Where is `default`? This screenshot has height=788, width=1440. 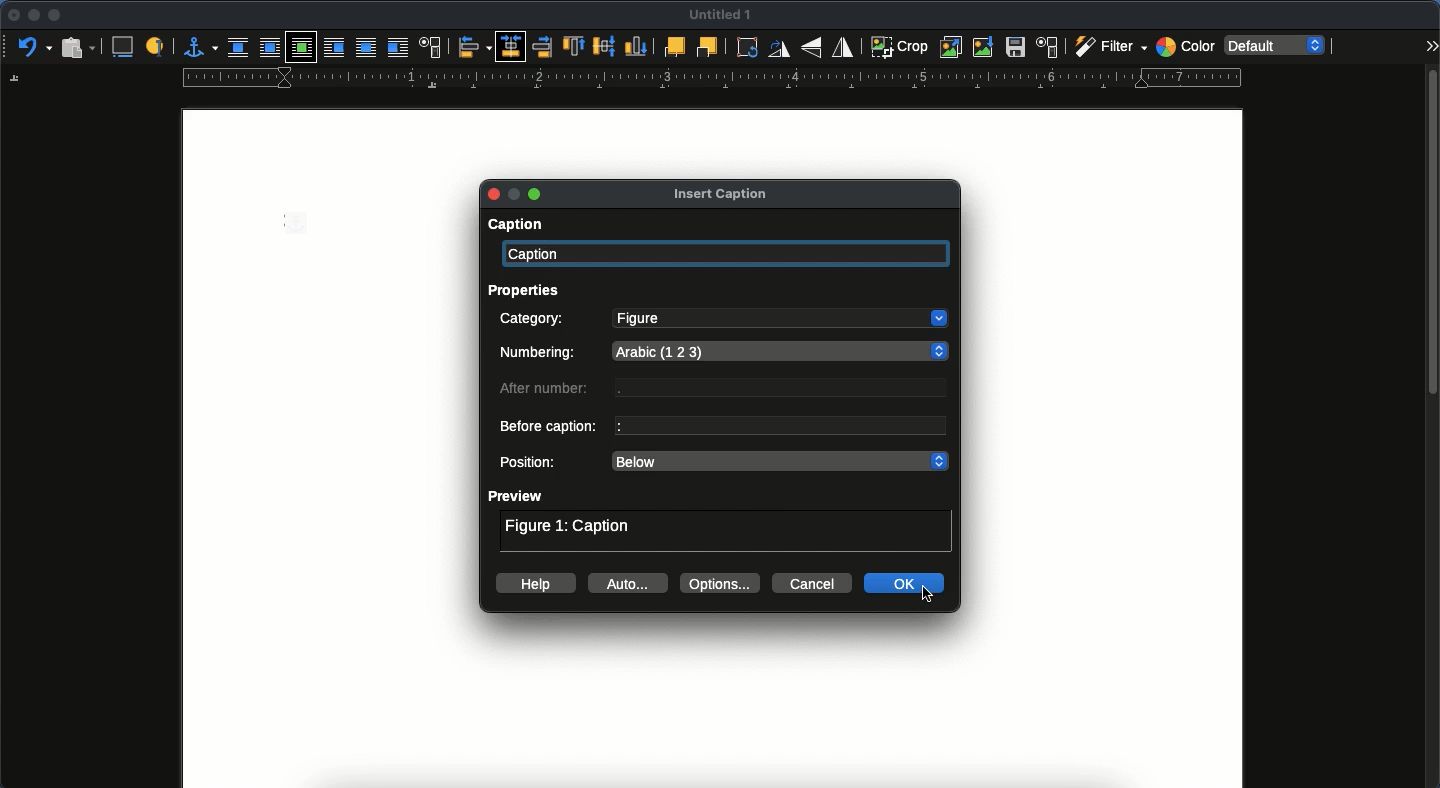
default is located at coordinates (1281, 45).